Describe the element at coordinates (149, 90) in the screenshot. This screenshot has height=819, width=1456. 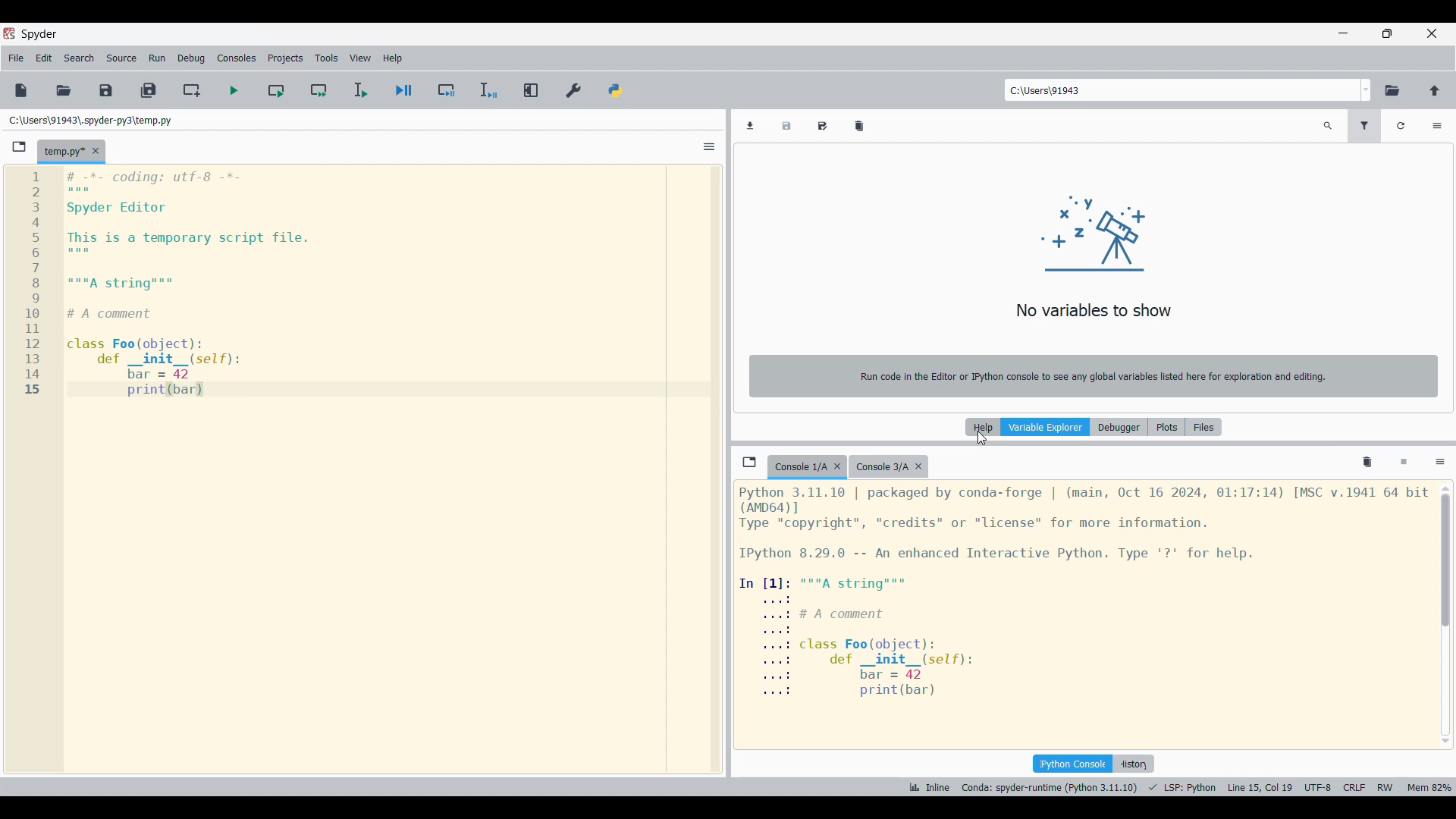
I see `Save all files` at that location.